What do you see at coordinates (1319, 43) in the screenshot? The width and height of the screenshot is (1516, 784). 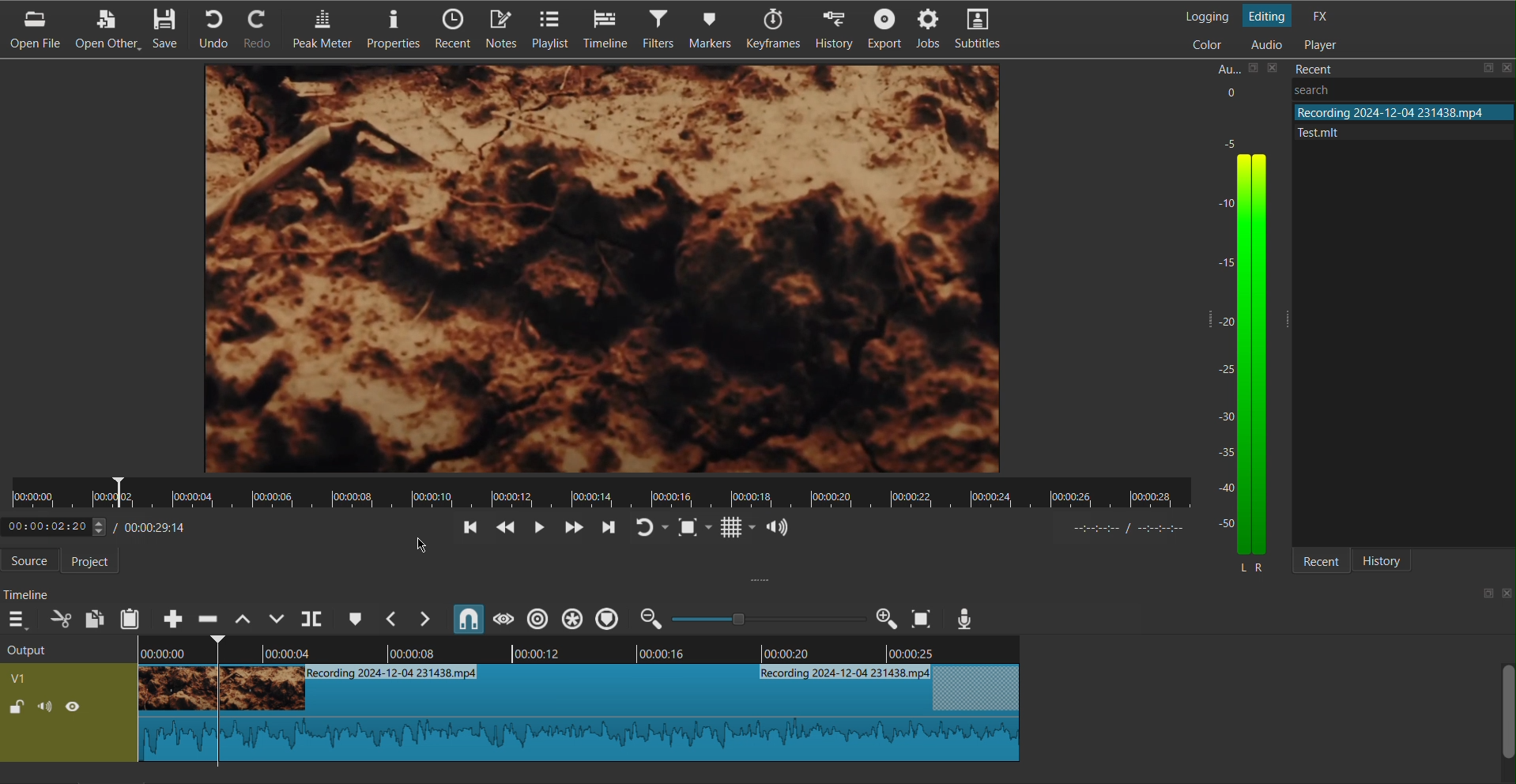 I see `Player` at bounding box center [1319, 43].